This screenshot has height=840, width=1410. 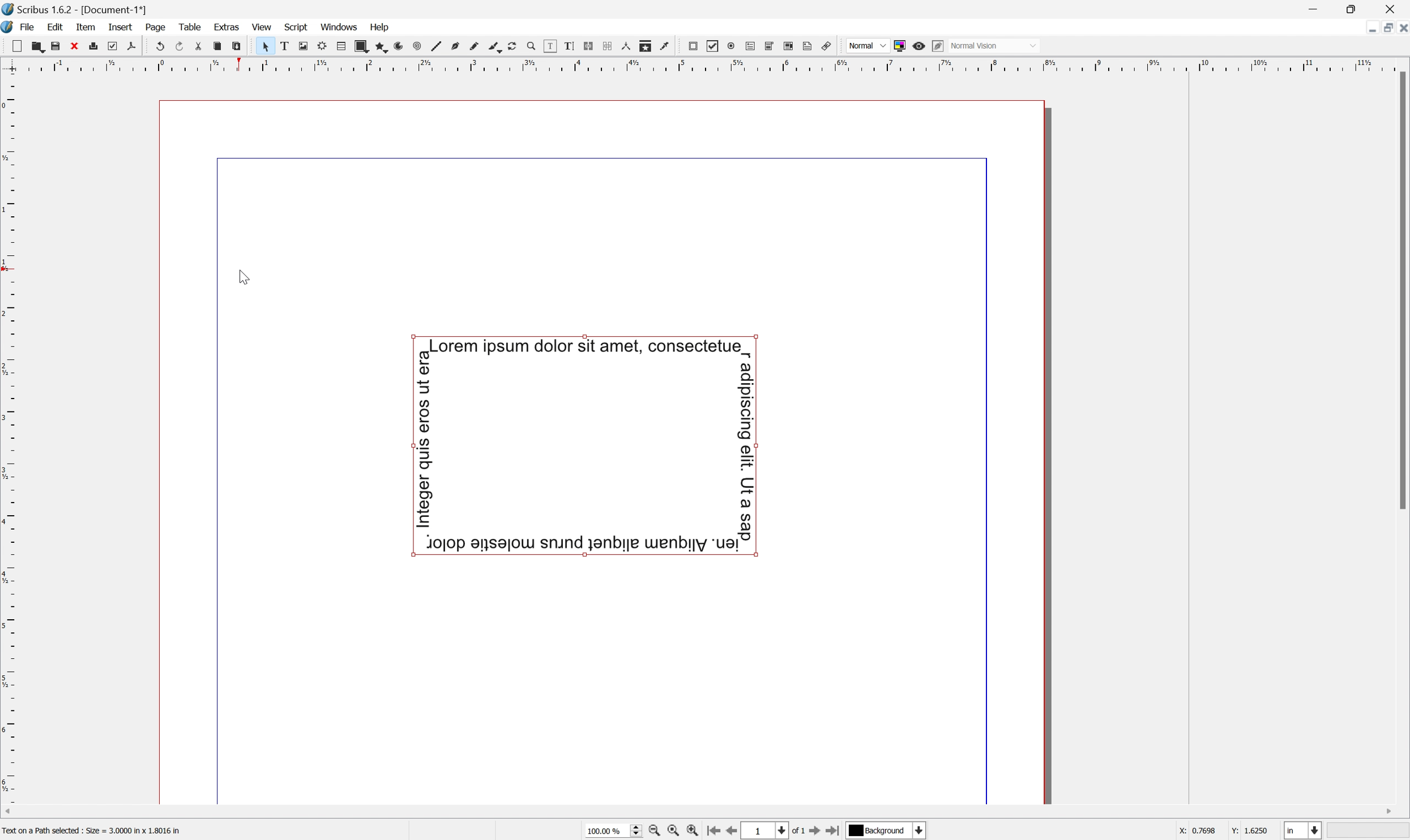 I want to click on Preflight verifier, so click(x=112, y=47).